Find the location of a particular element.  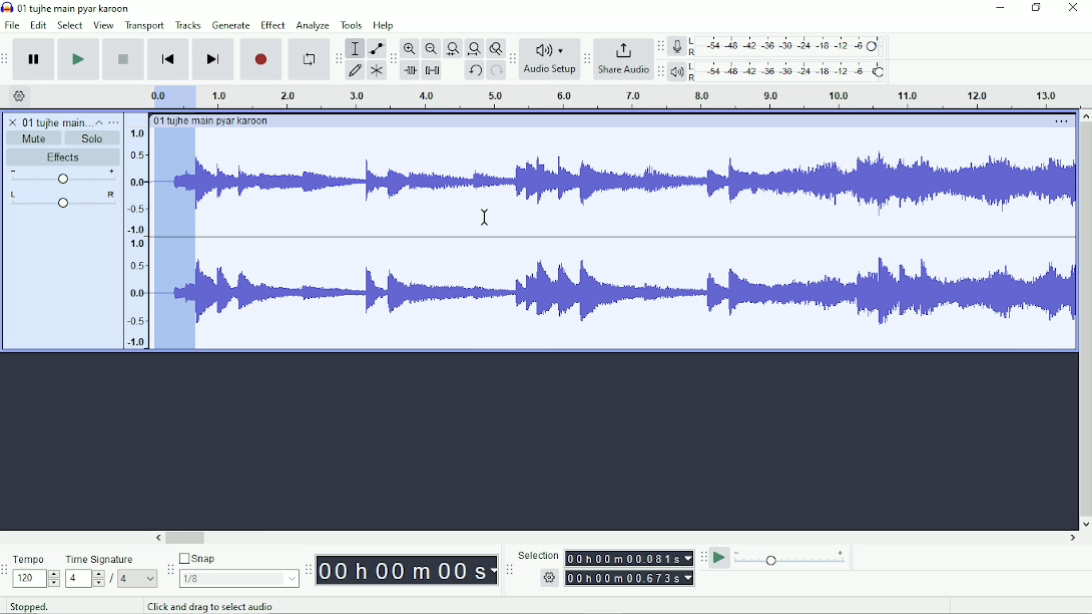

Setting logo is located at coordinates (20, 95).